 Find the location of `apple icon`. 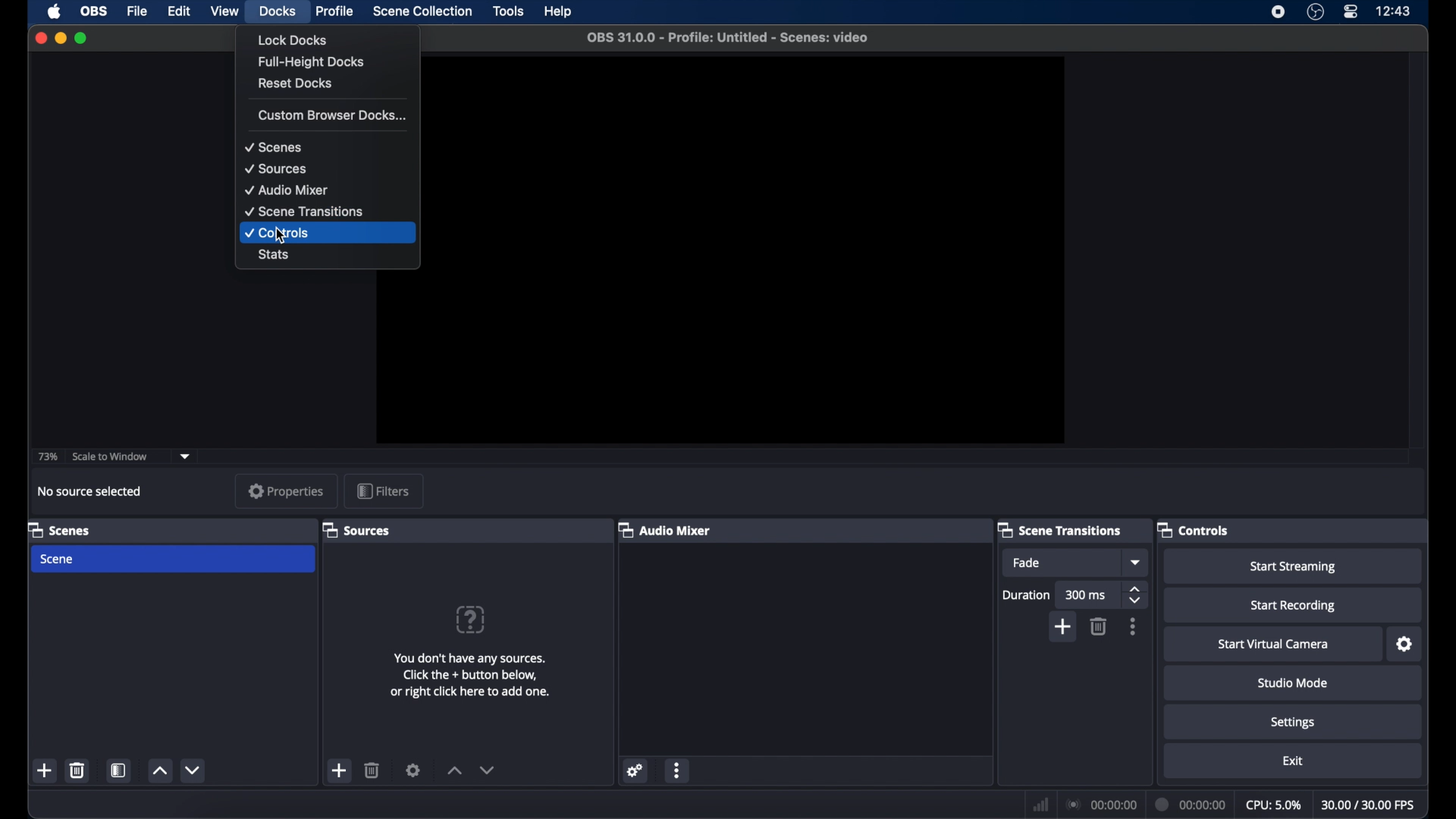

apple icon is located at coordinates (54, 11).